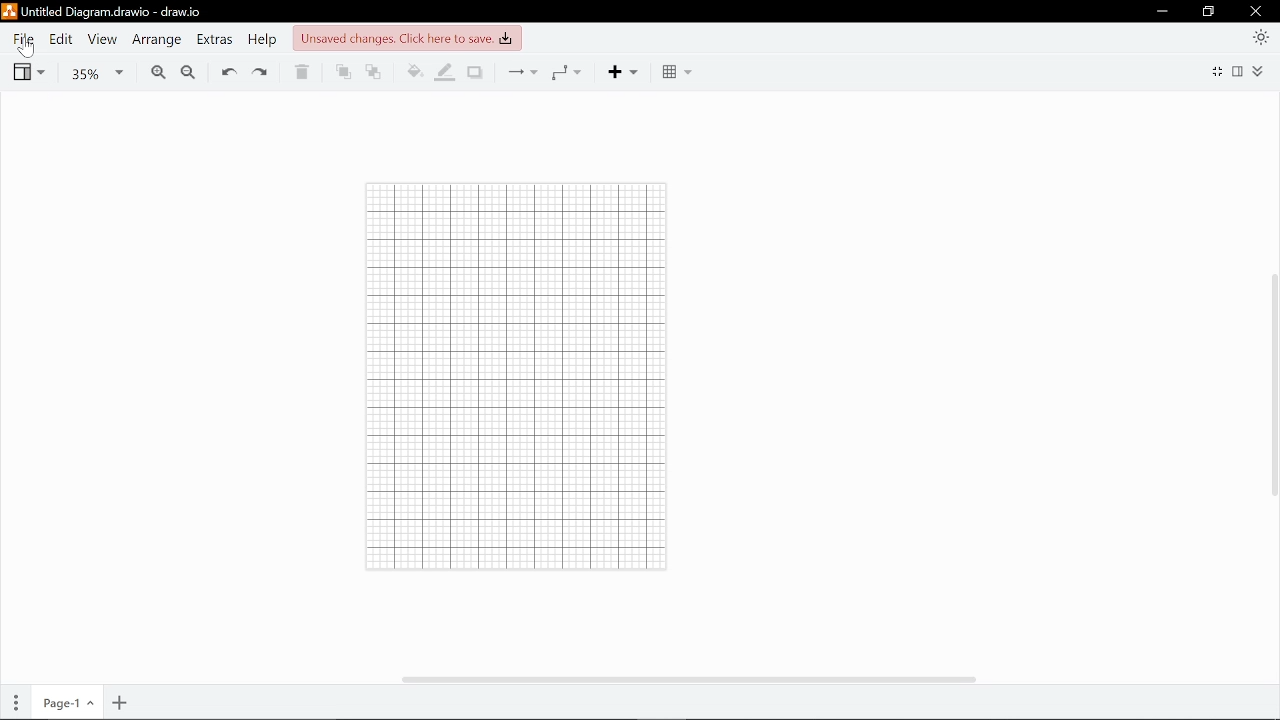  What do you see at coordinates (1216, 73) in the screenshot?
I see `Full screen` at bounding box center [1216, 73].